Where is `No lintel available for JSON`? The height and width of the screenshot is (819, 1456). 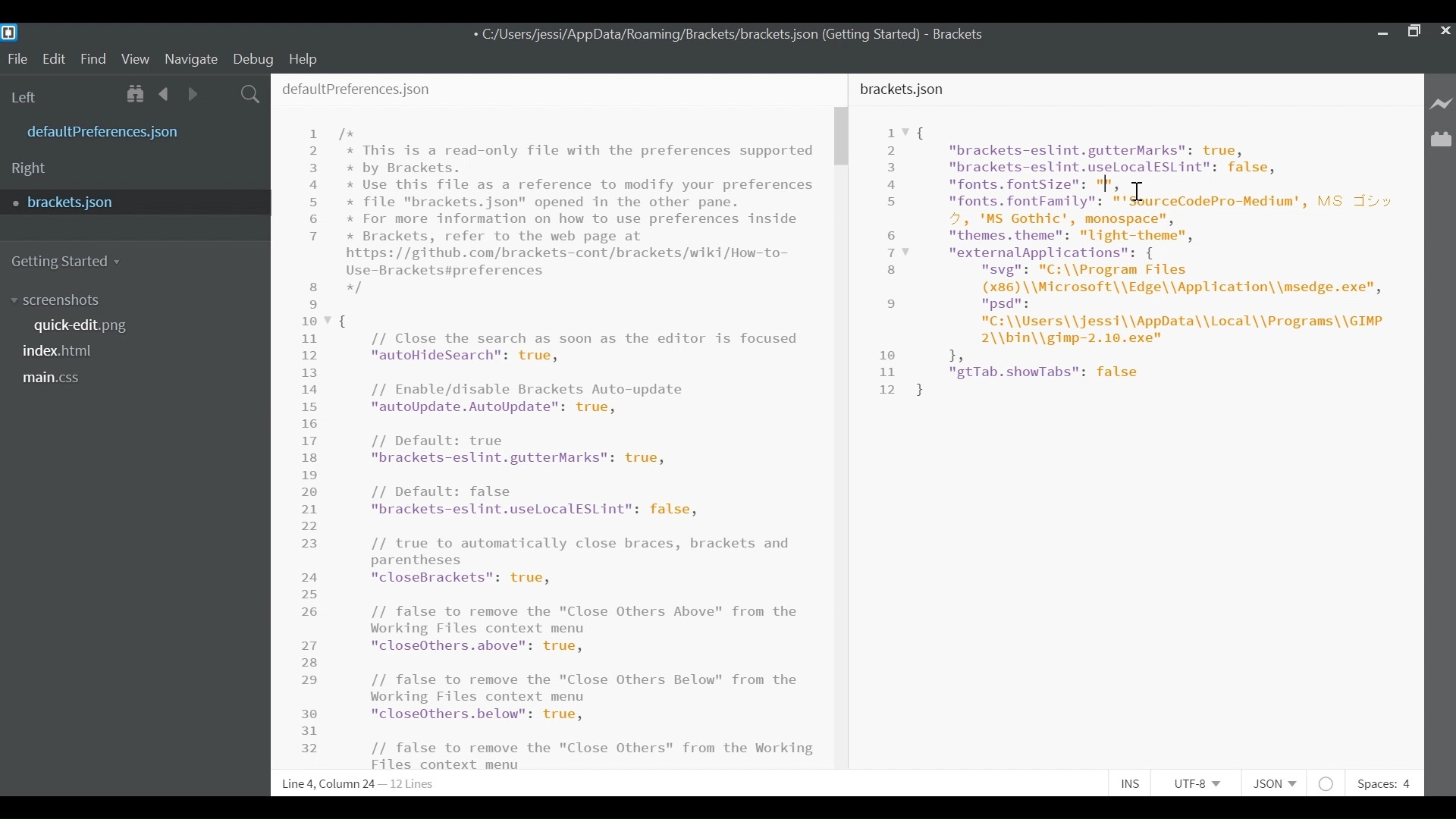 No lintel available for JSON is located at coordinates (1327, 782).